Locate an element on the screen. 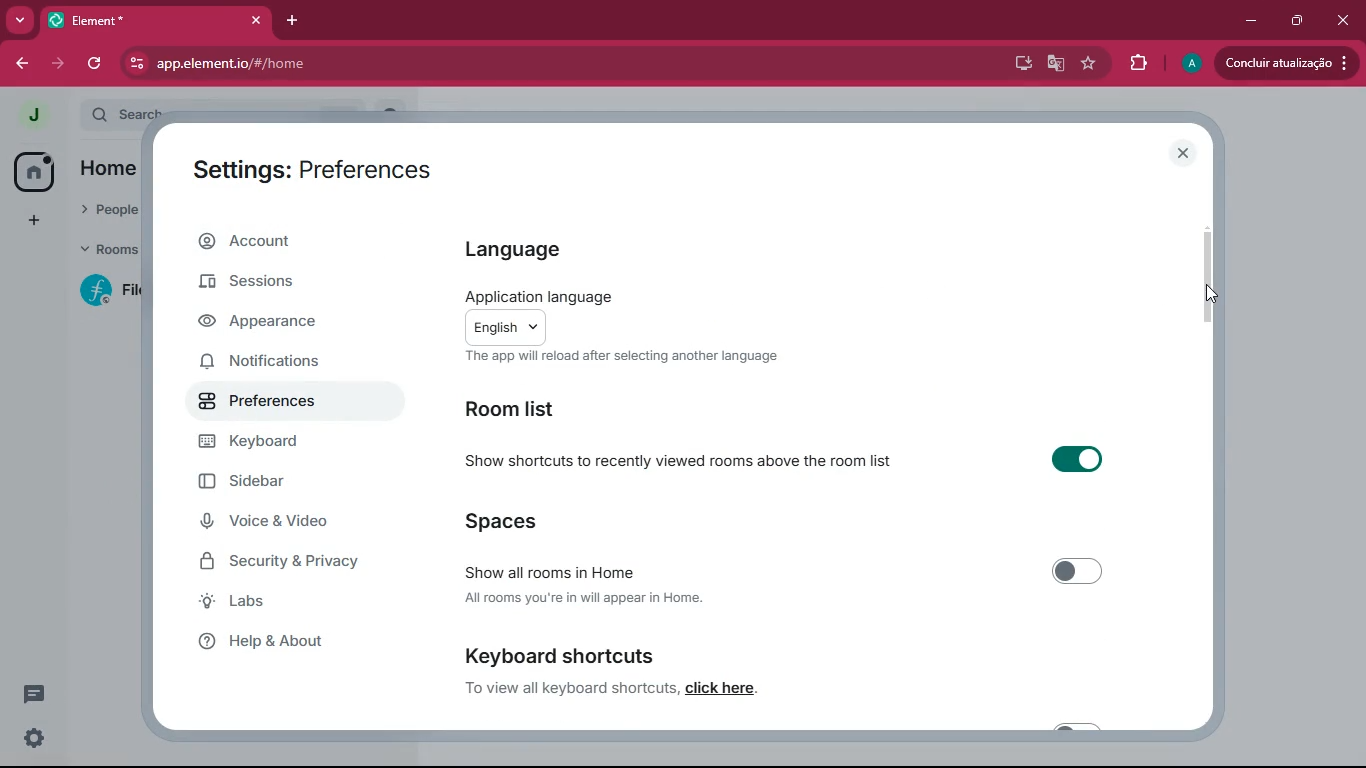 The width and height of the screenshot is (1366, 768). search bar is located at coordinates (123, 113).